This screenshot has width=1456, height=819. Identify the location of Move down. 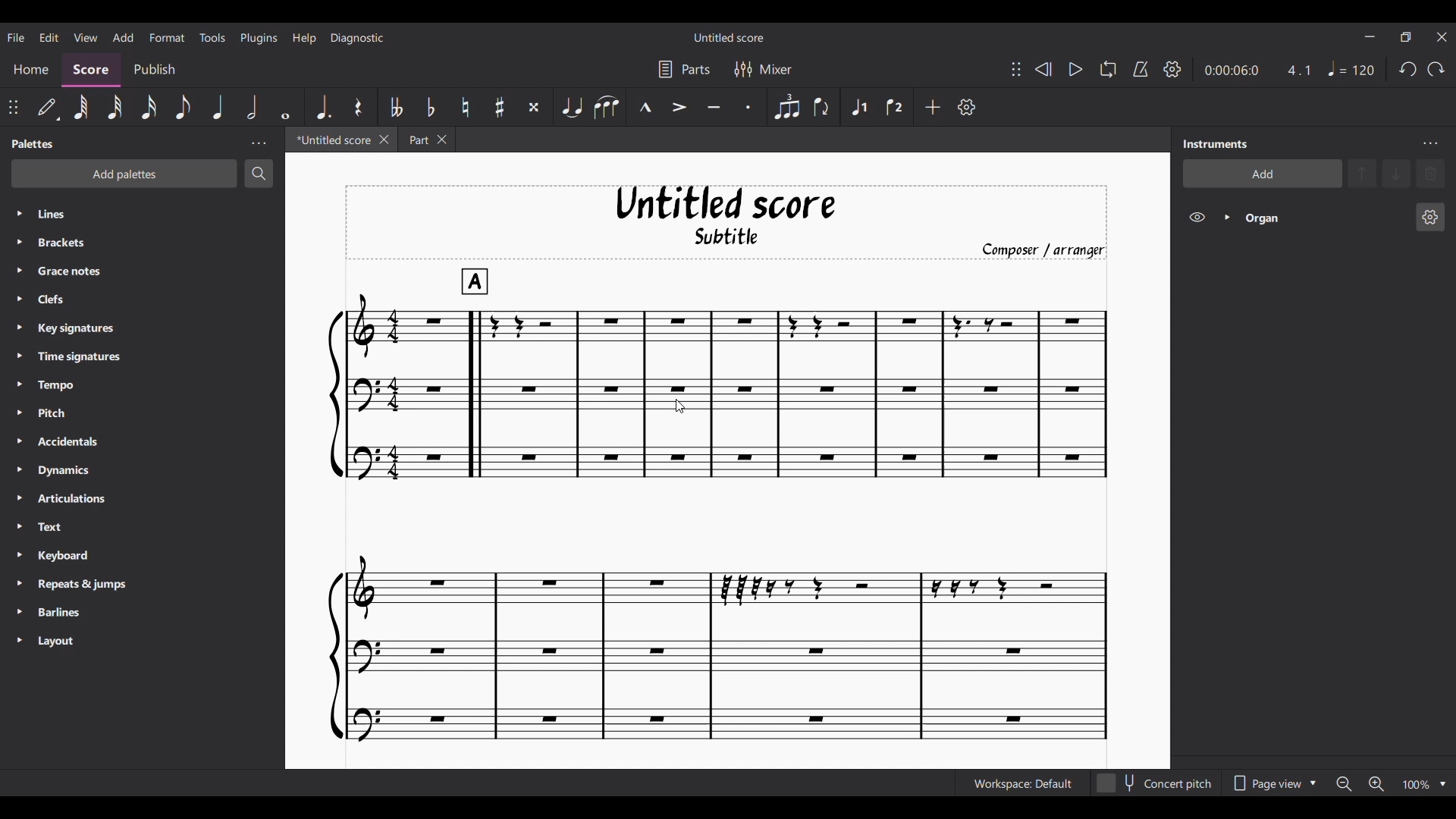
(1395, 174).